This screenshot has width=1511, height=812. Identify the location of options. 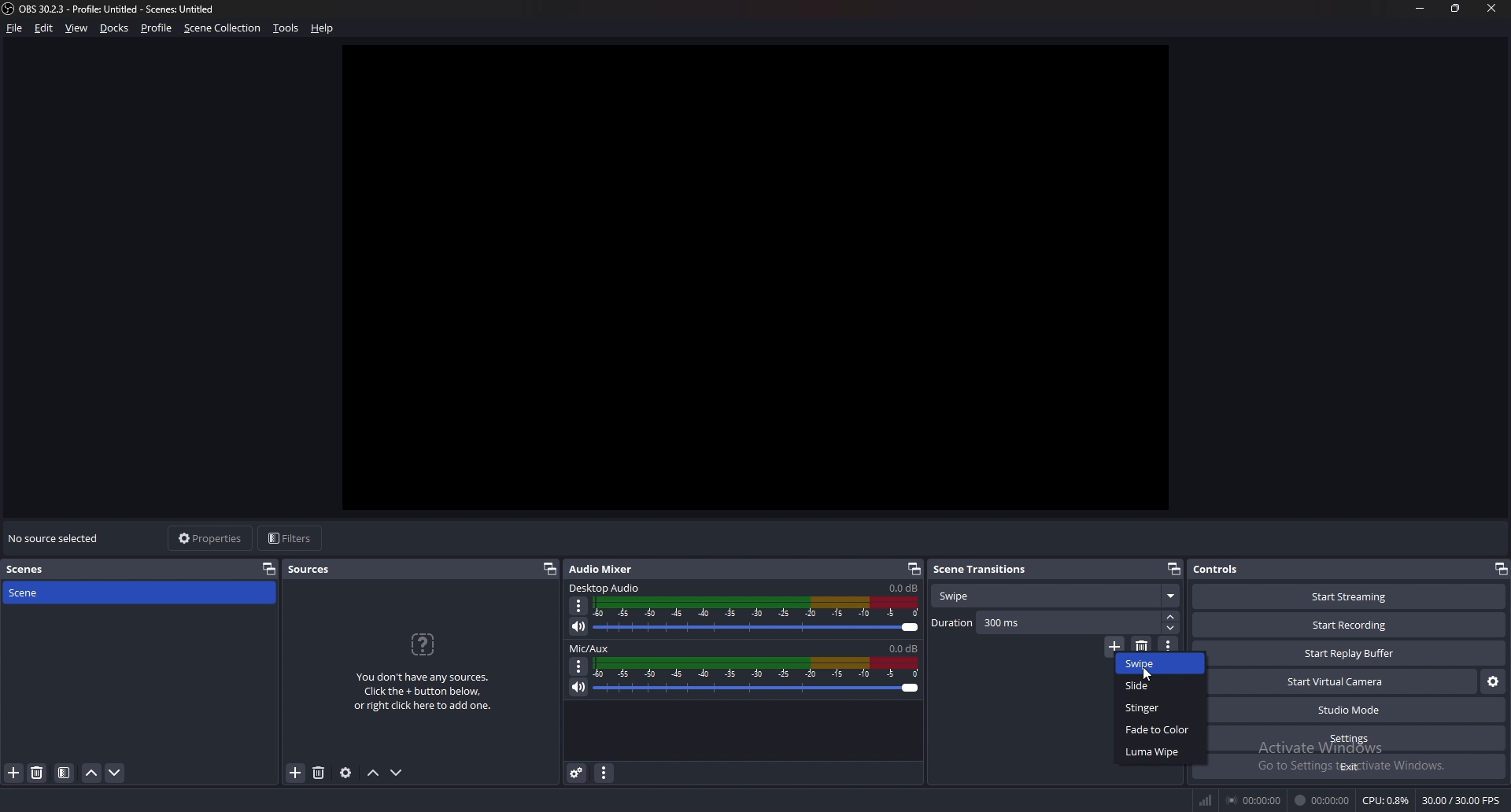
(579, 666).